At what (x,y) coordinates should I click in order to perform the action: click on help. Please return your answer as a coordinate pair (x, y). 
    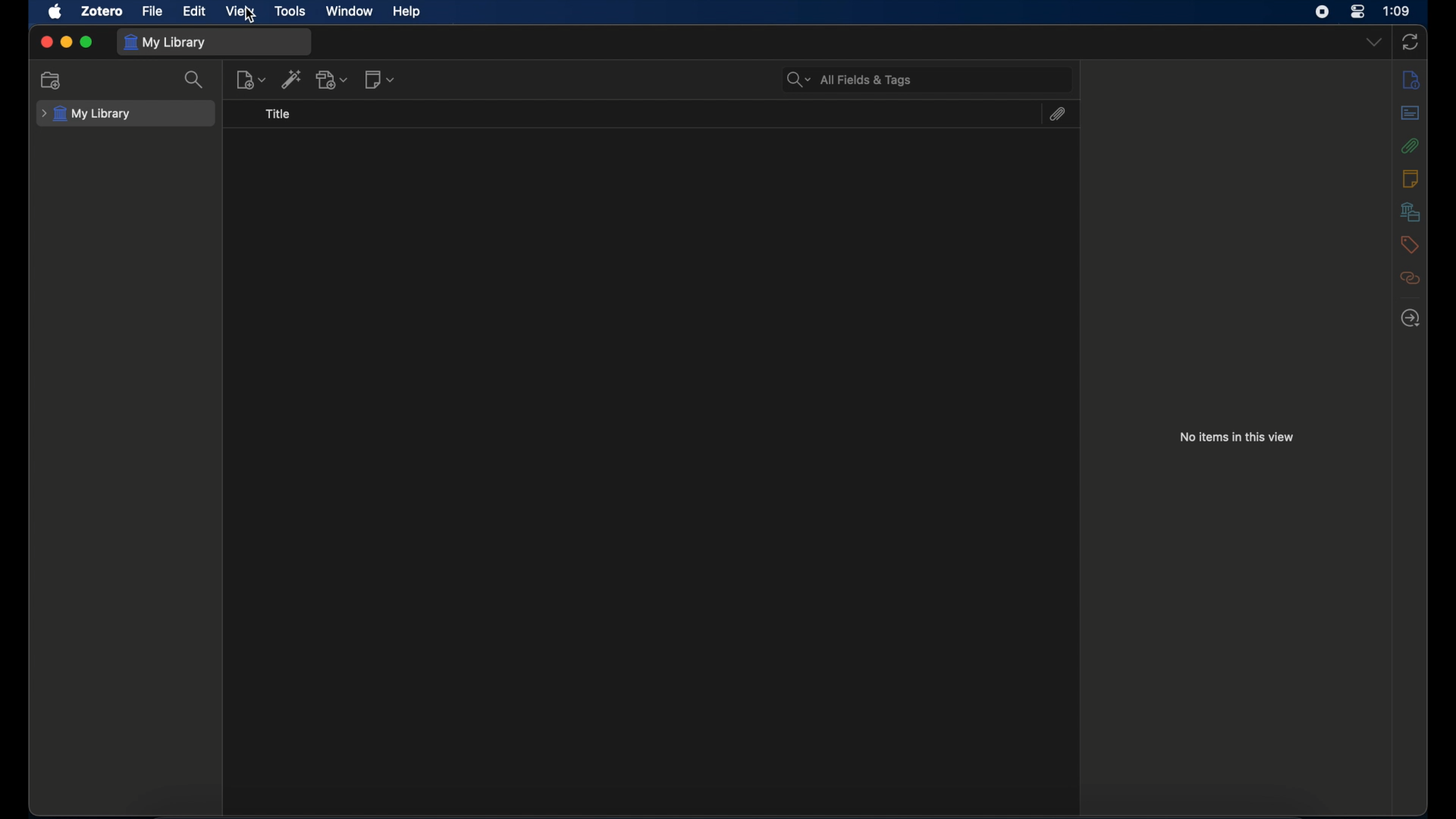
    Looking at the image, I should click on (406, 12).